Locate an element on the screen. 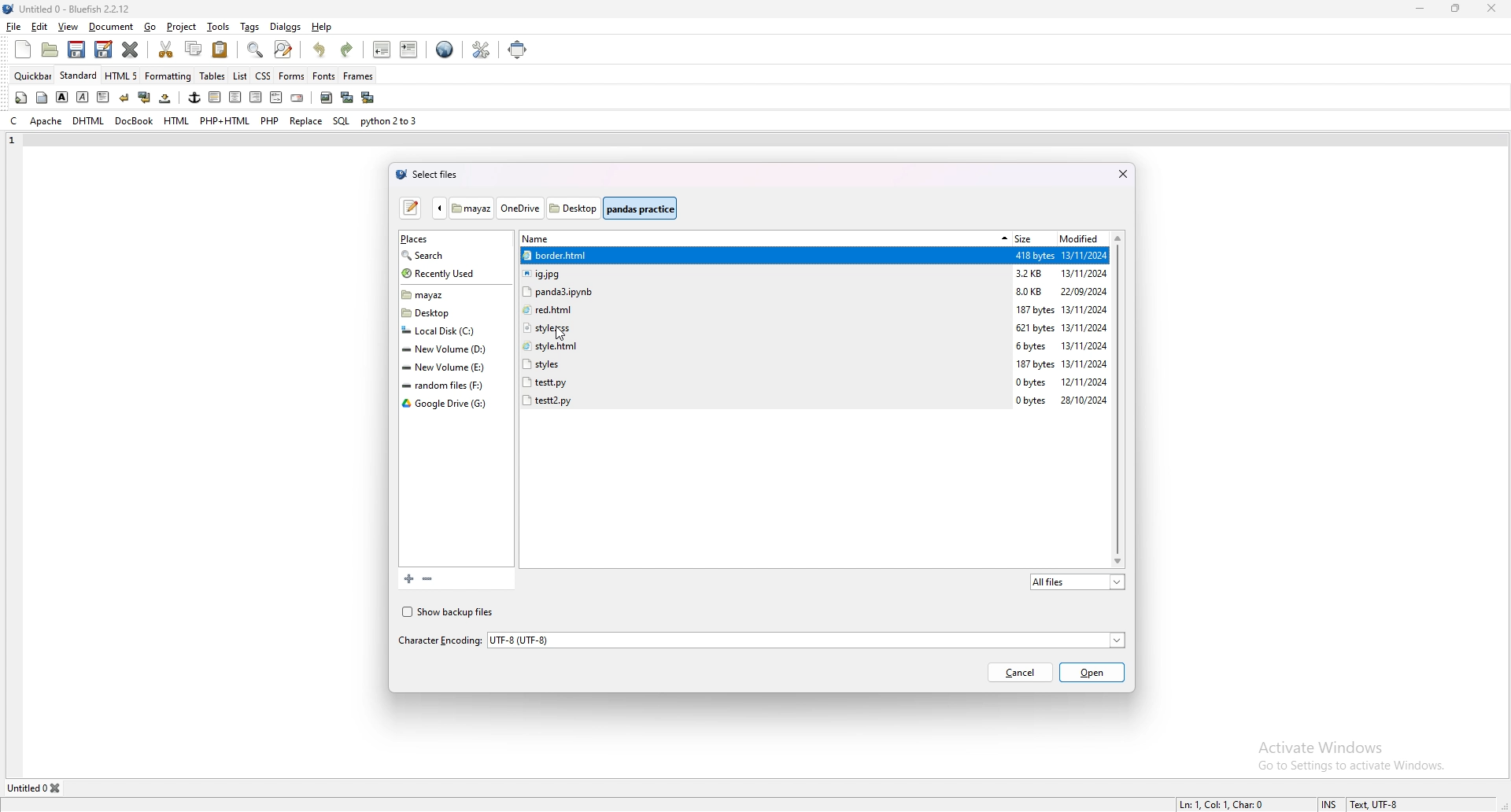  file is located at coordinates (763, 345).